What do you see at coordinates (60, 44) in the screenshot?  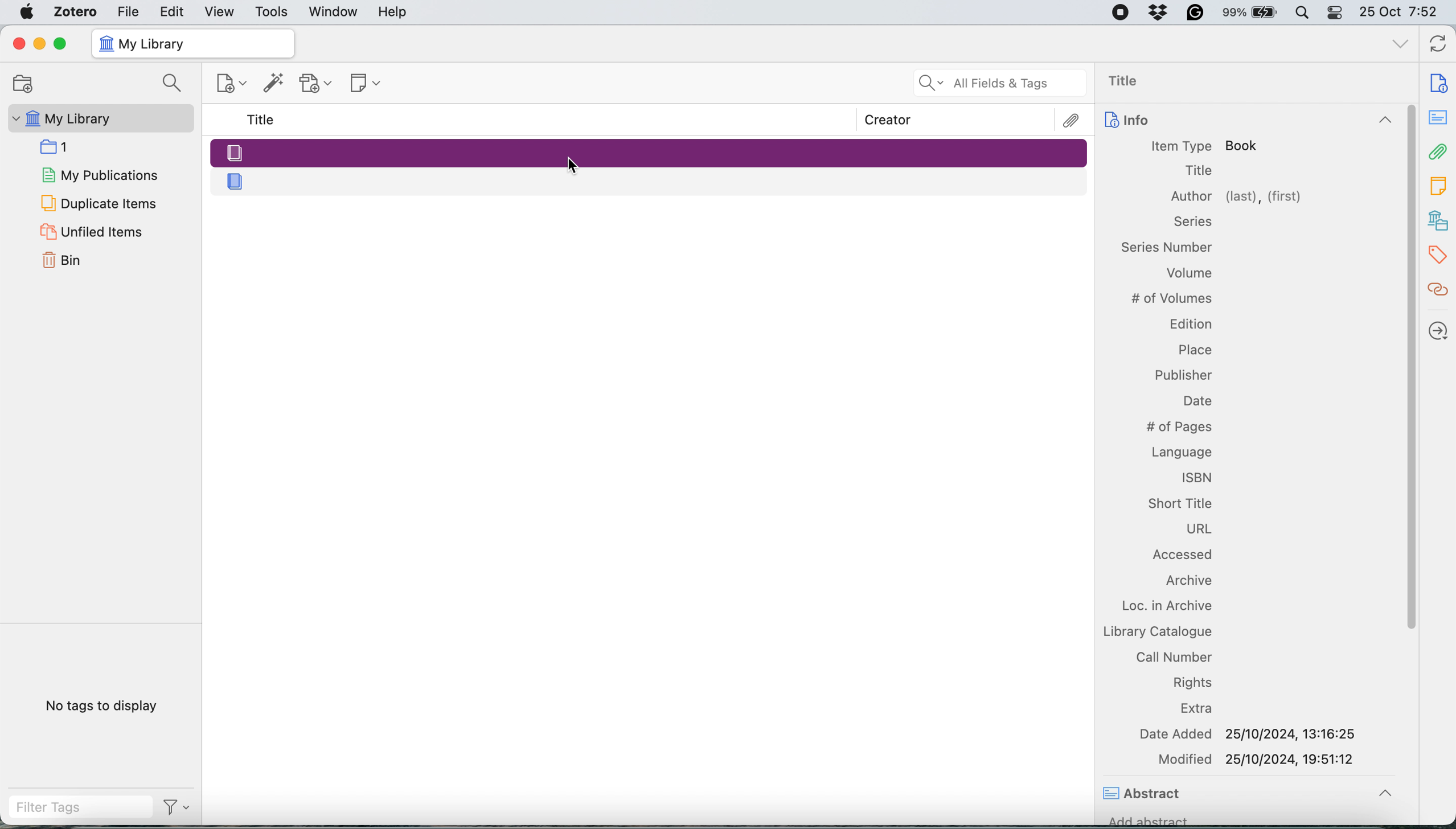 I see `Maximize` at bounding box center [60, 44].